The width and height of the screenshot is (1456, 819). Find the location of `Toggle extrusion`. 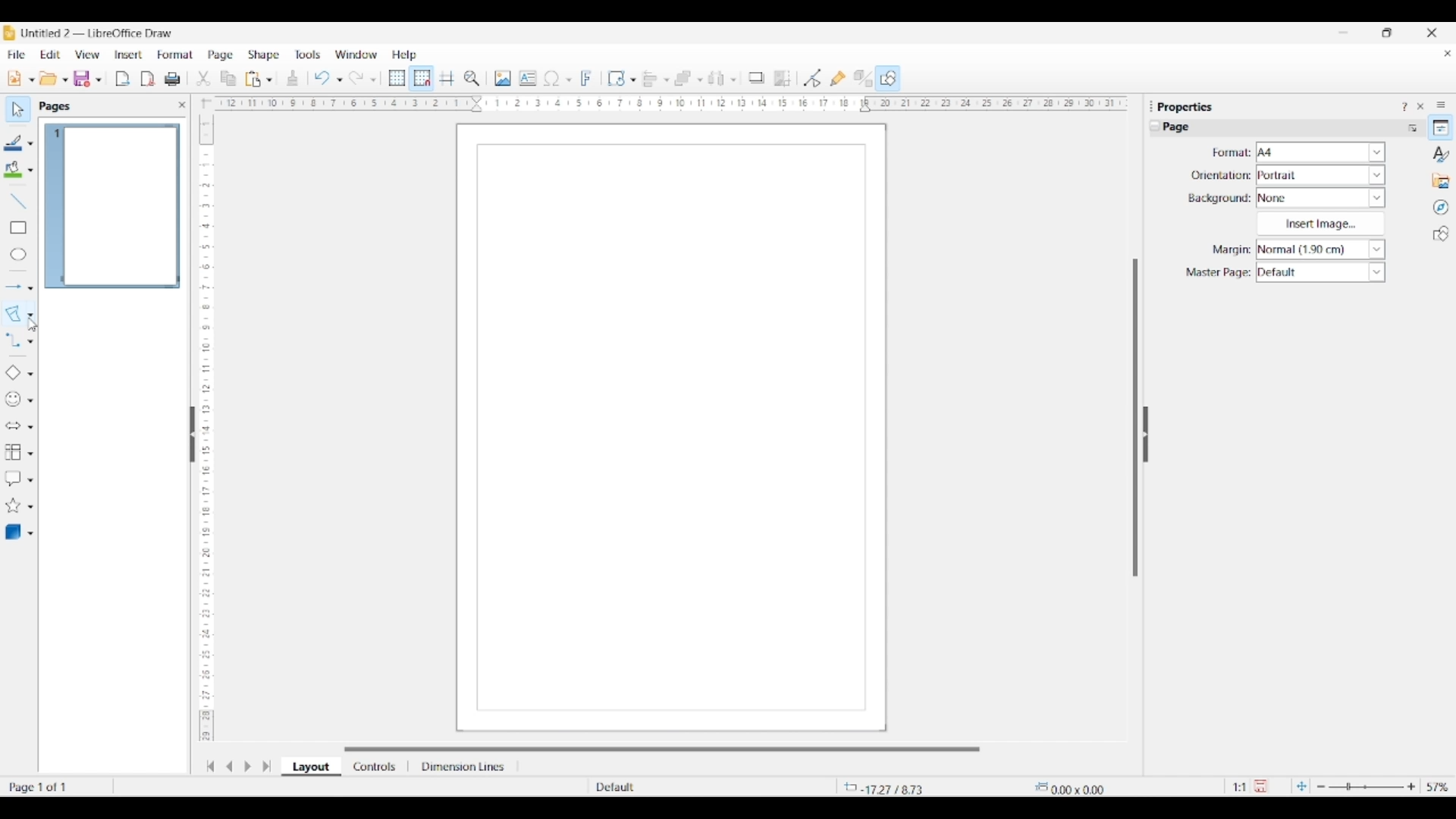

Toggle extrusion is located at coordinates (863, 79).